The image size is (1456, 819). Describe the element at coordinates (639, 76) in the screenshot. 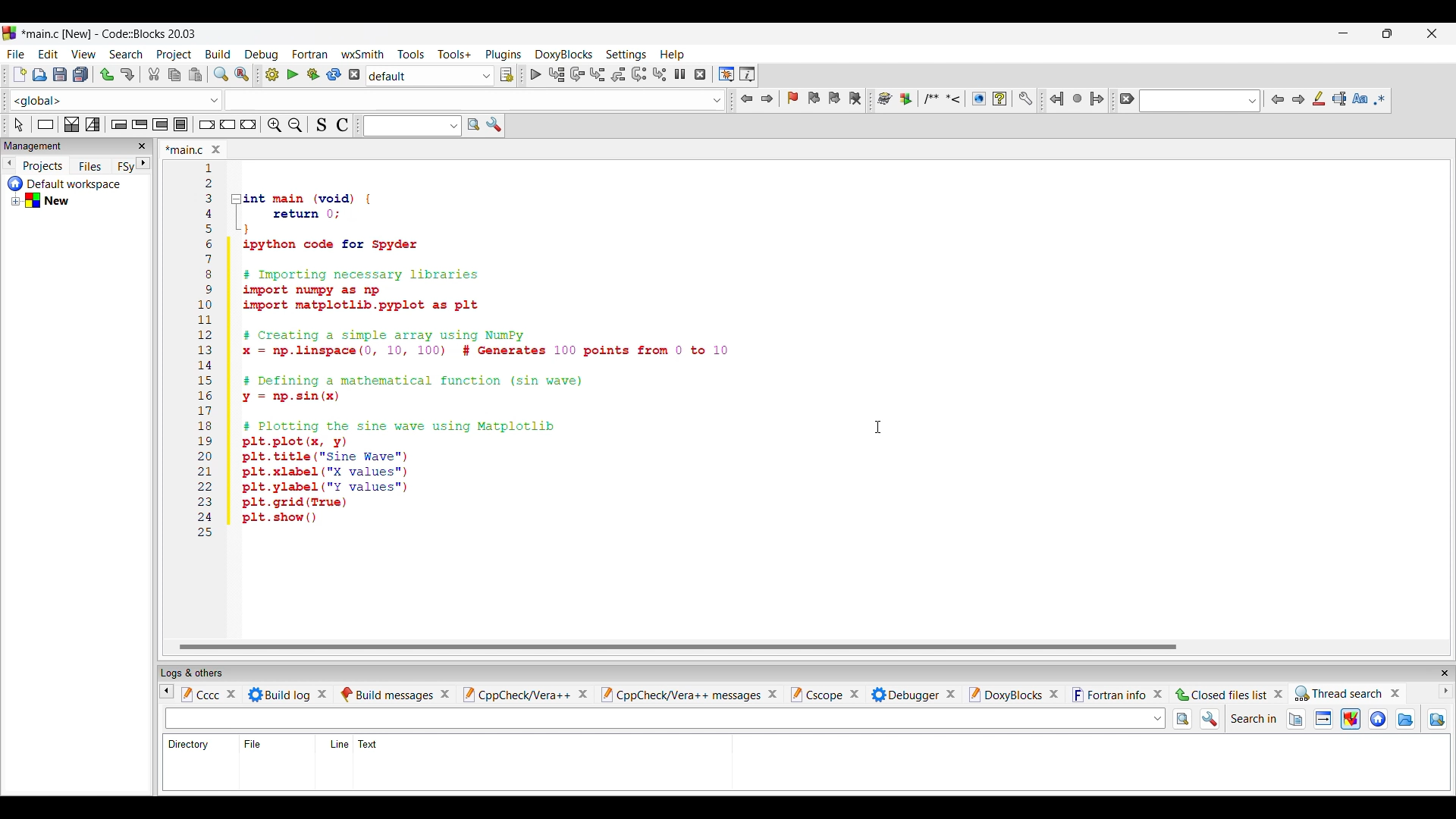

I see `Next instruction` at that location.